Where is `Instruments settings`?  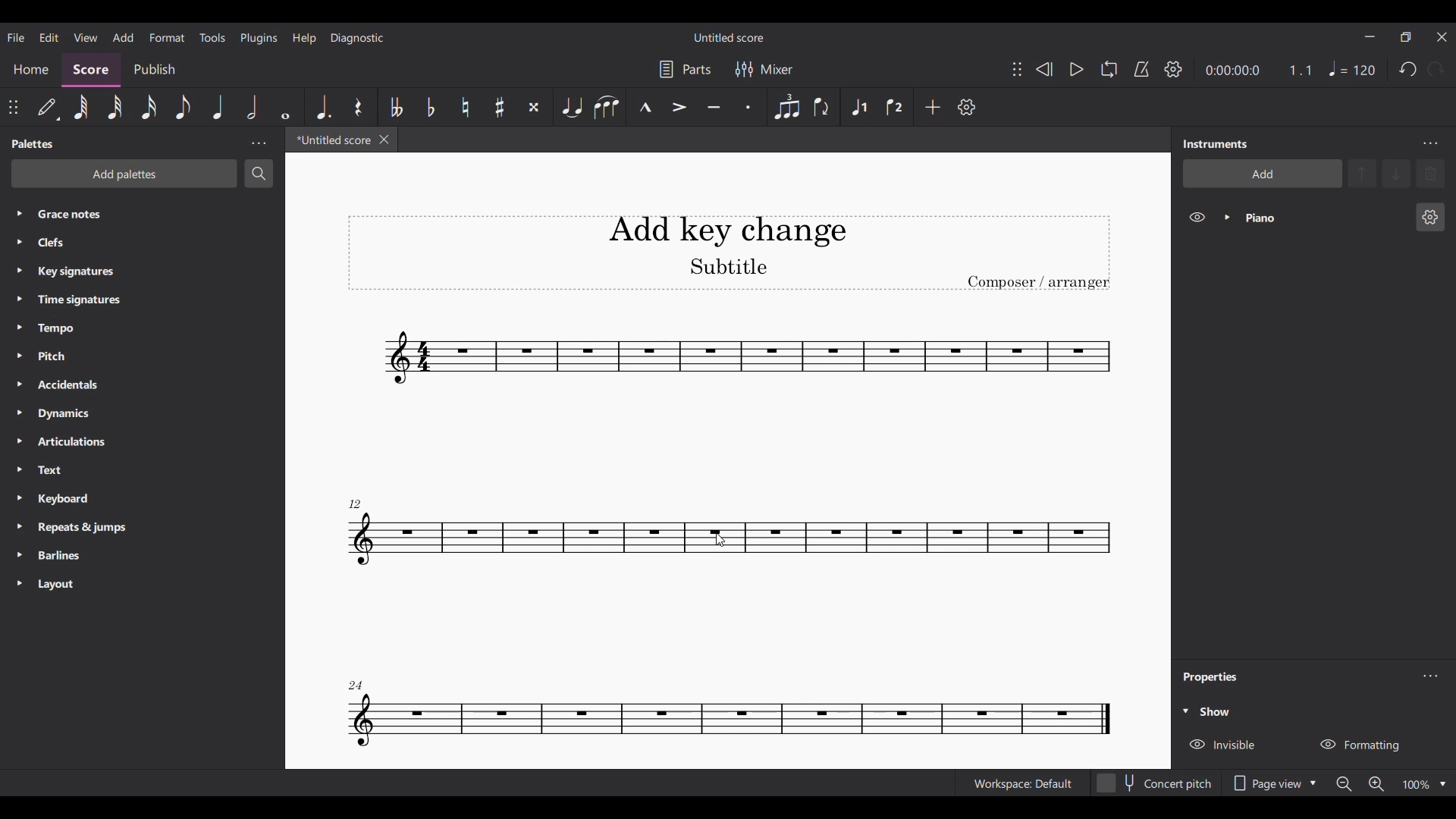
Instruments settings is located at coordinates (1429, 143).